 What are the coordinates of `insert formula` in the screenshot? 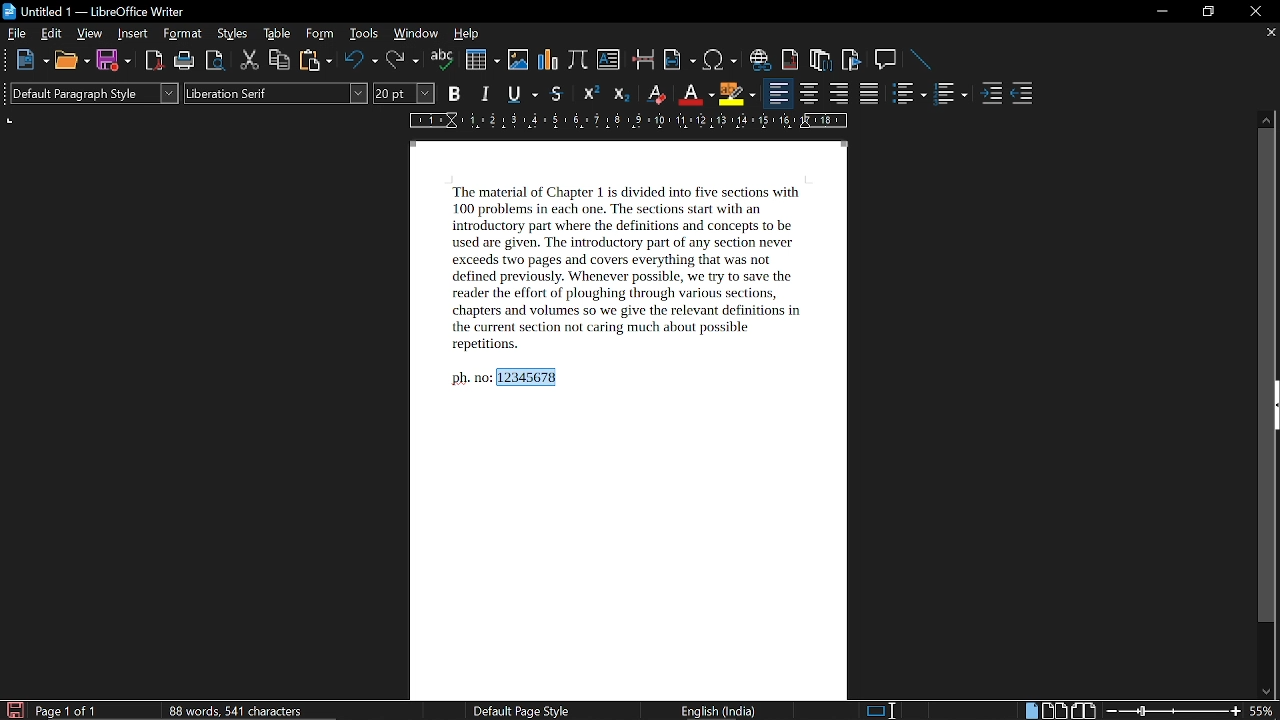 It's located at (578, 59).